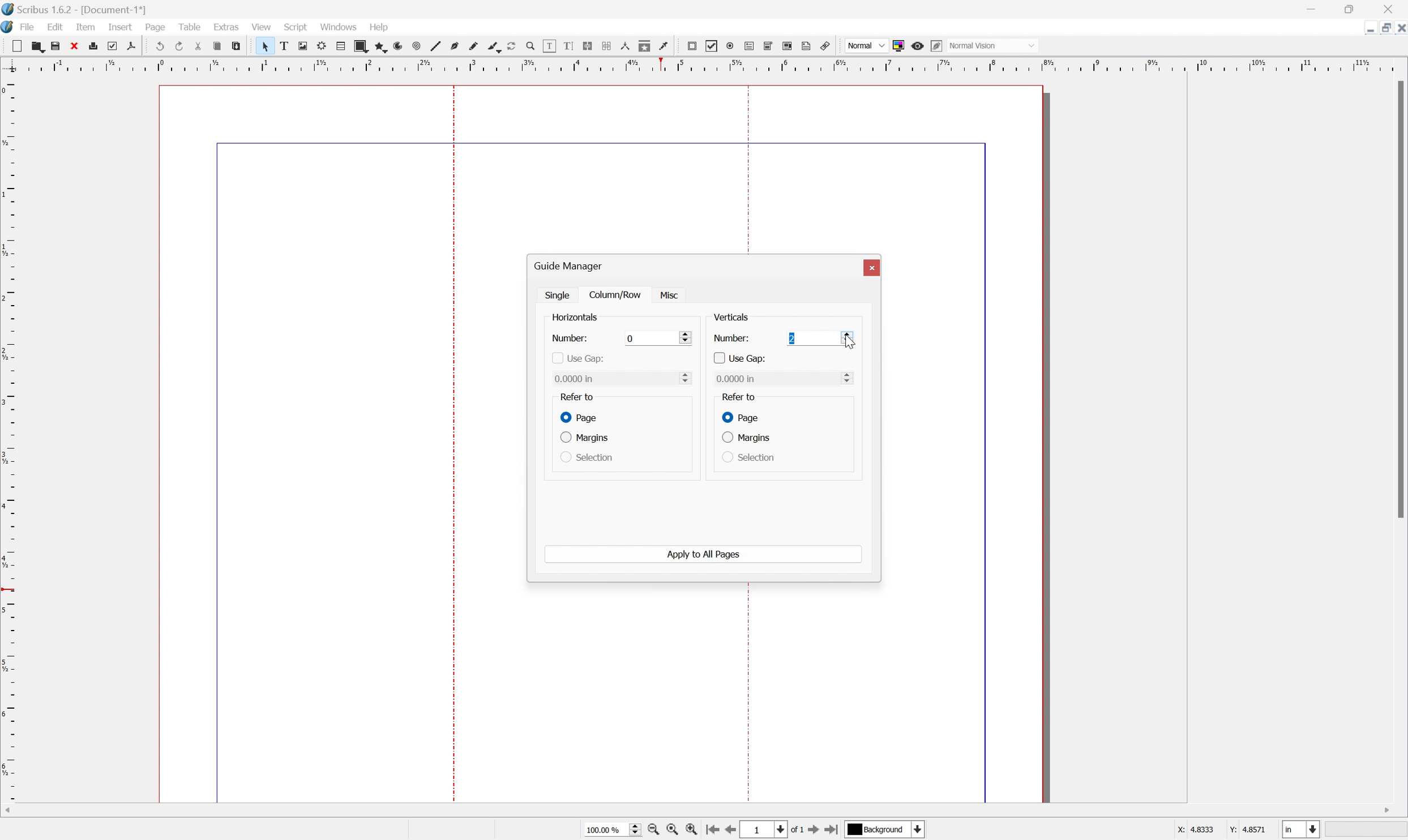  What do you see at coordinates (622, 378) in the screenshot?
I see `0.0000 in` at bounding box center [622, 378].